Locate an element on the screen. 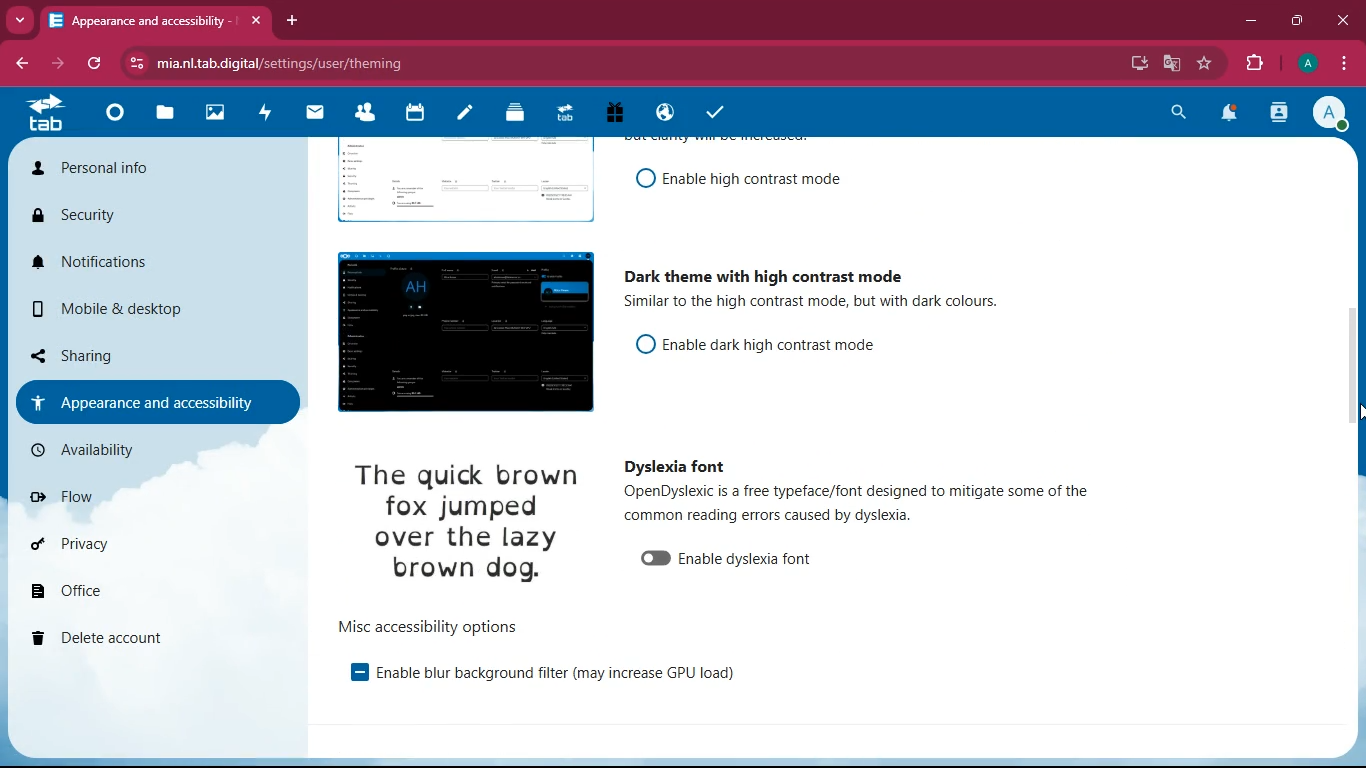  extensions is located at coordinates (1253, 62).